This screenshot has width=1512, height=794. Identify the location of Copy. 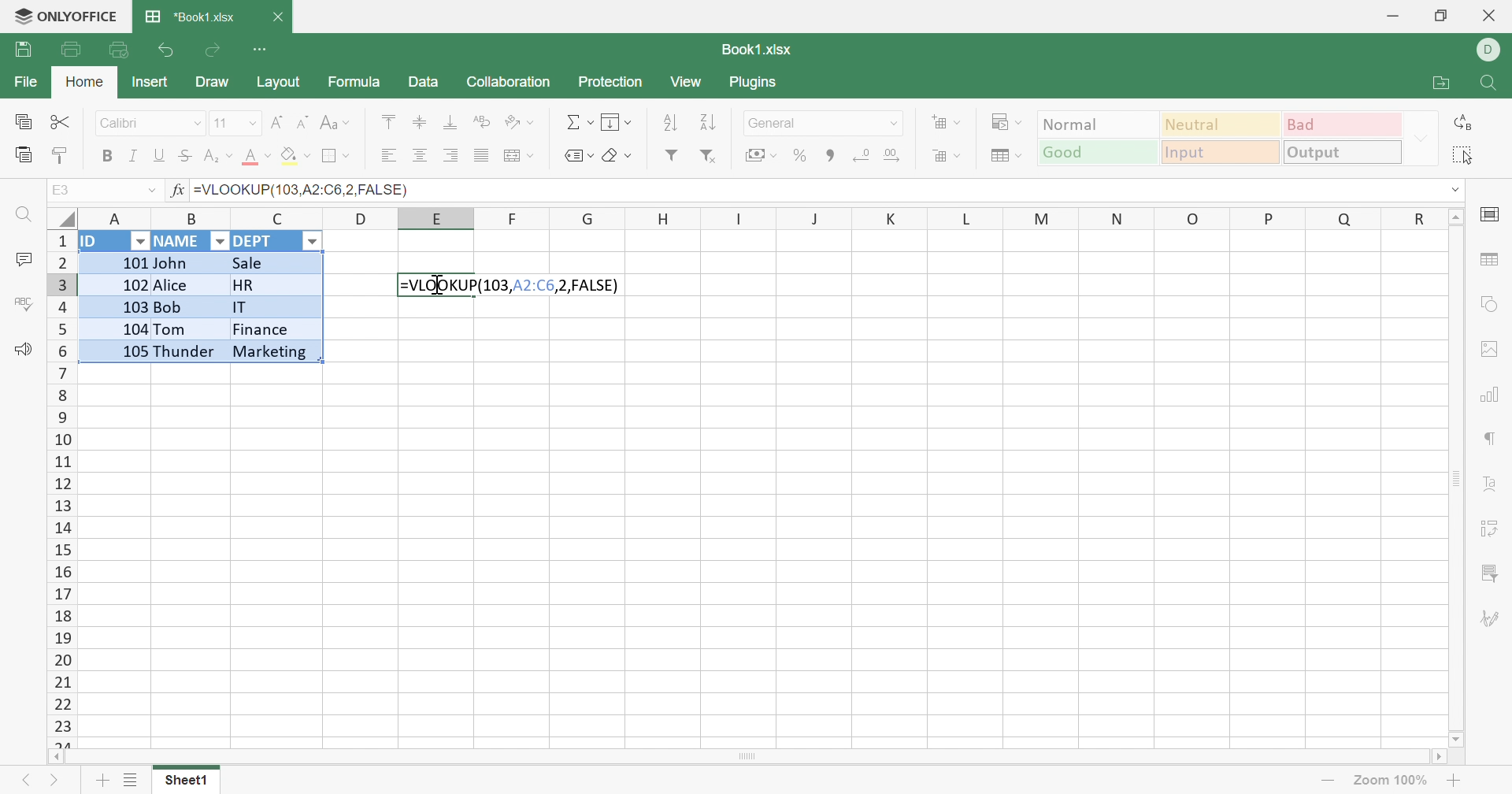
(24, 122).